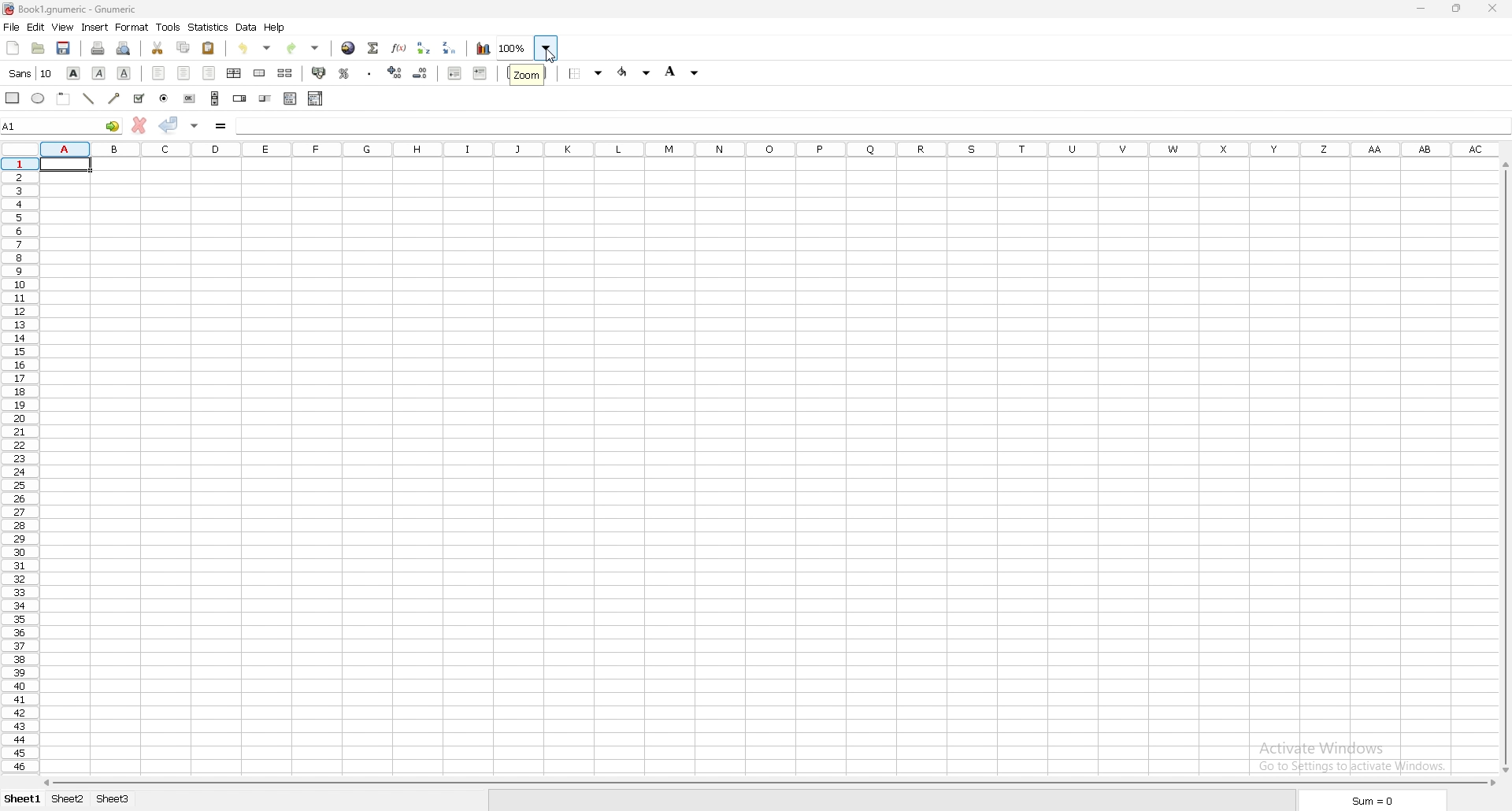  Describe the element at coordinates (139, 126) in the screenshot. I see `cancel change` at that location.